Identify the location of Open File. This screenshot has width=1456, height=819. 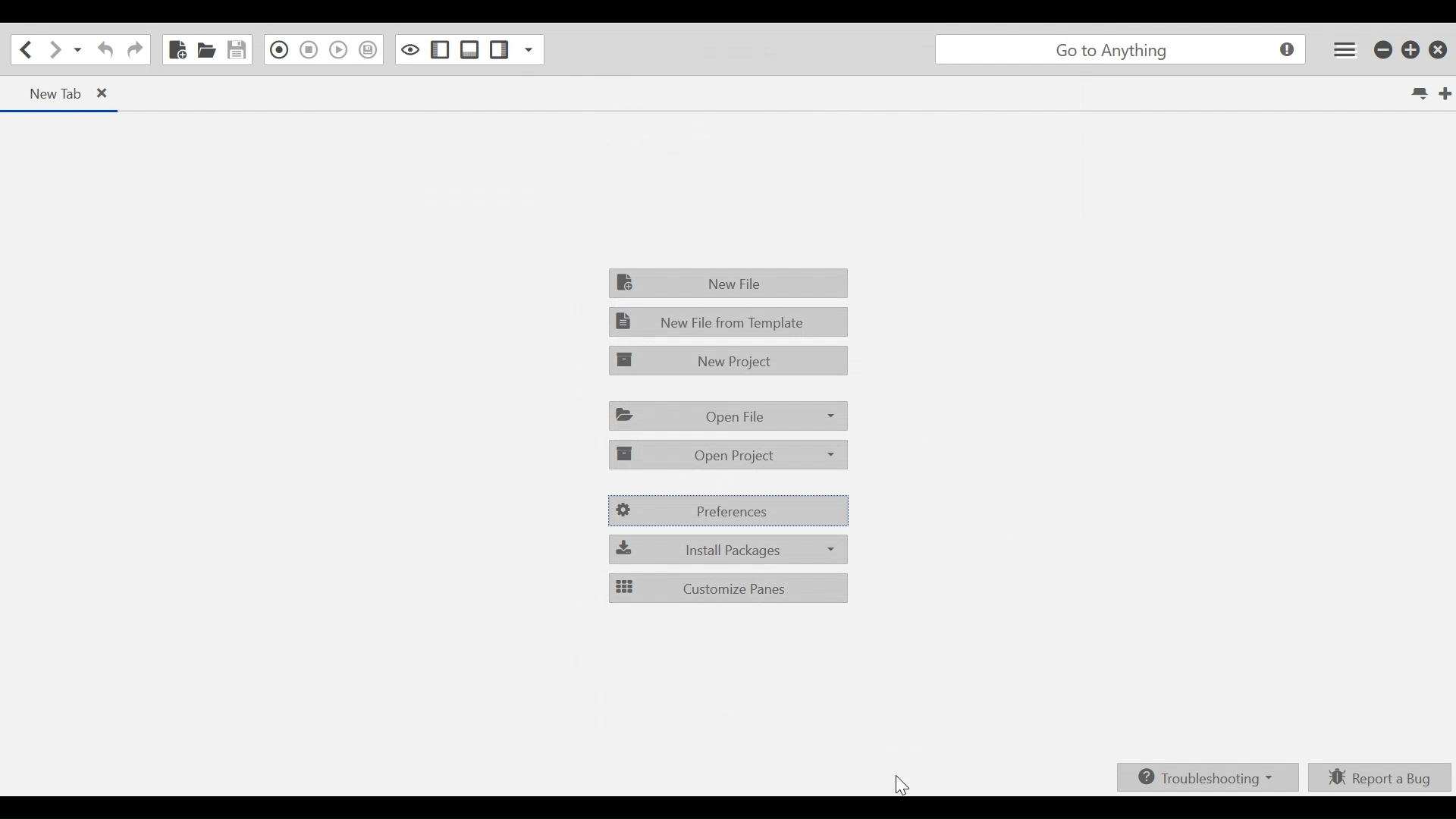
(206, 49).